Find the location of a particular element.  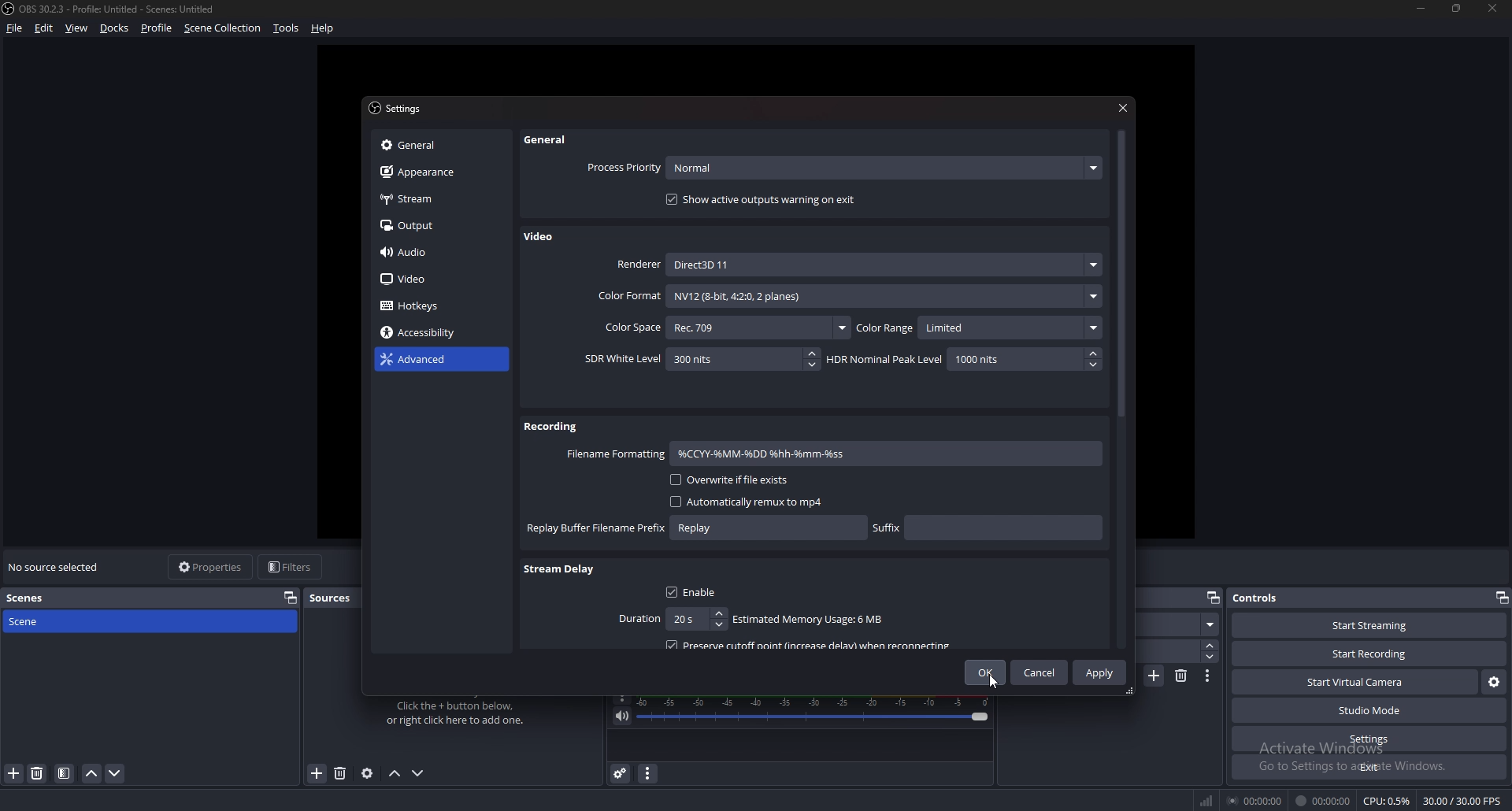

view is located at coordinates (76, 28).